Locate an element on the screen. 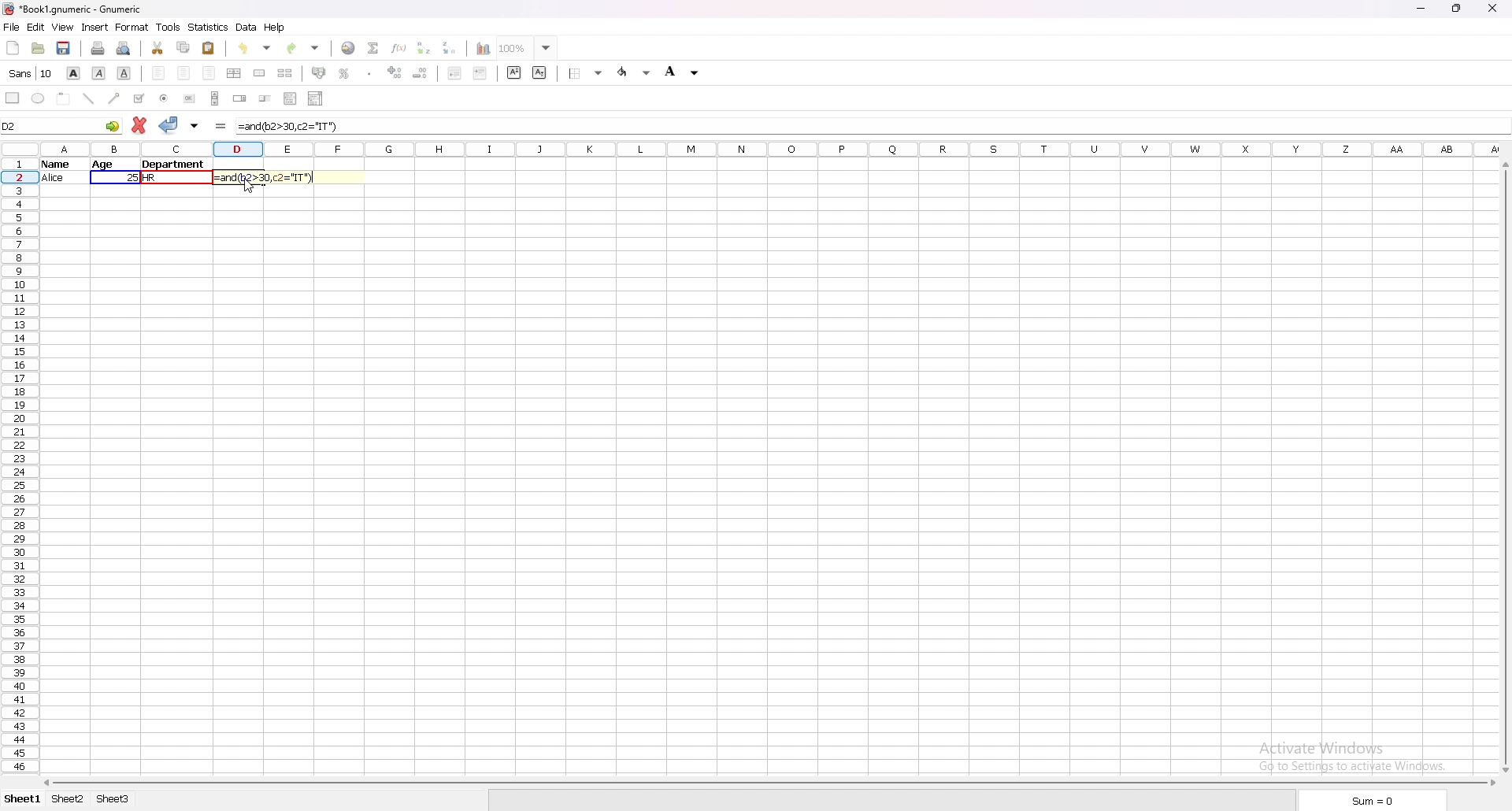 This screenshot has width=1512, height=811. thousands separator is located at coordinates (370, 72).